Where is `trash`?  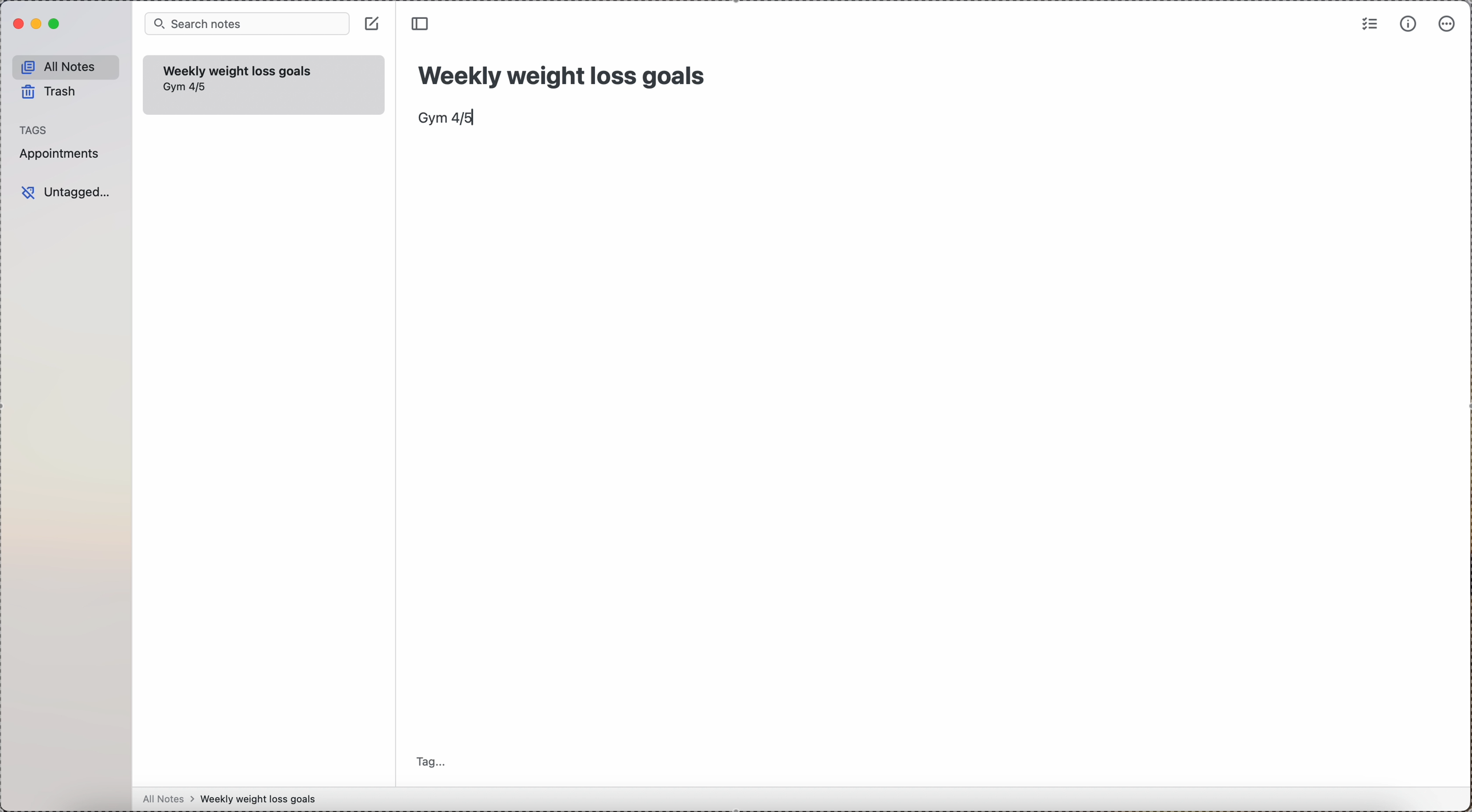 trash is located at coordinates (49, 91).